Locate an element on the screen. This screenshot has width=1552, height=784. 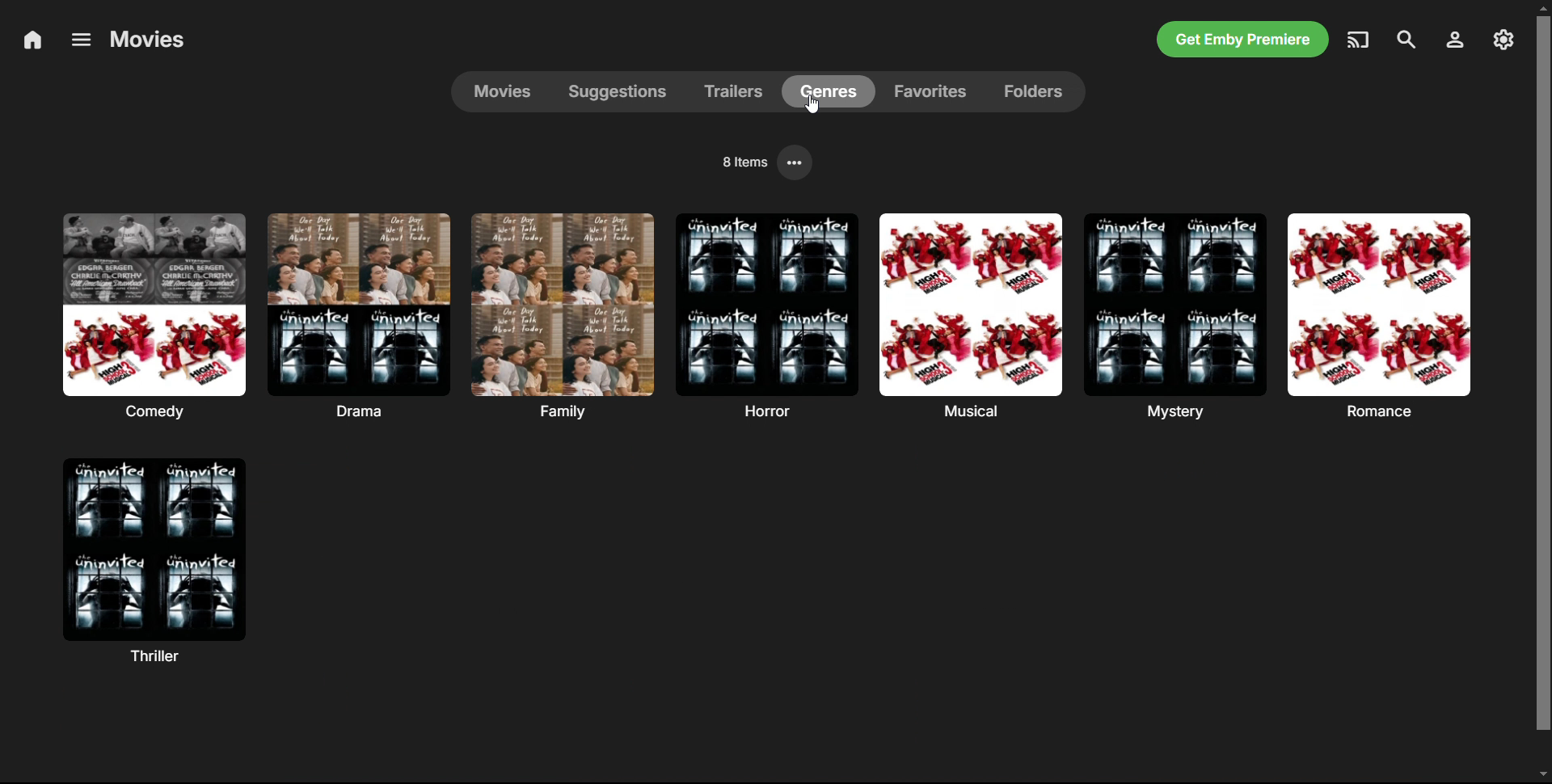
folders is located at coordinates (1035, 91).